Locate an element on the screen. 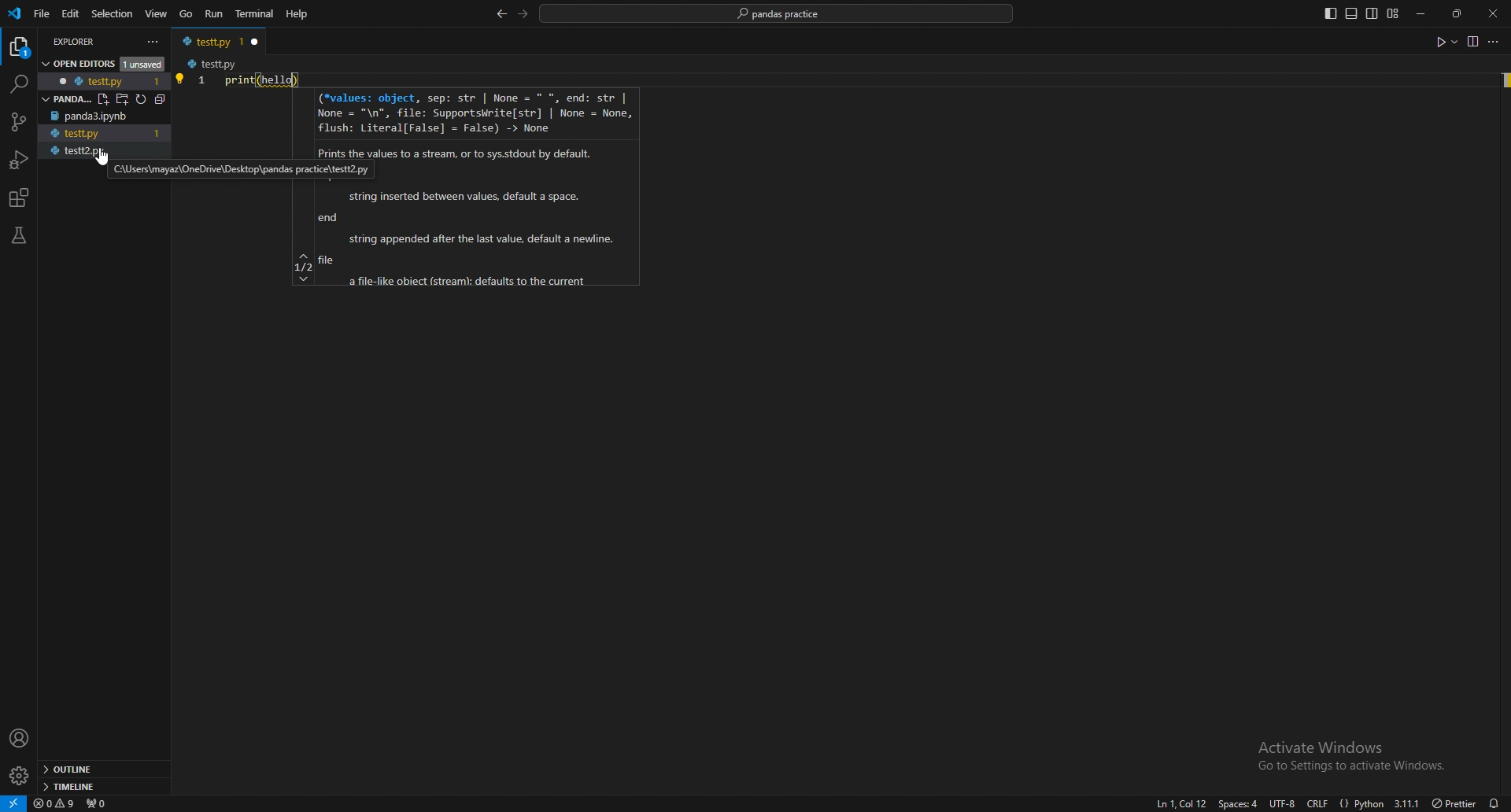 The image size is (1511, 812). testt.py is located at coordinates (212, 65).